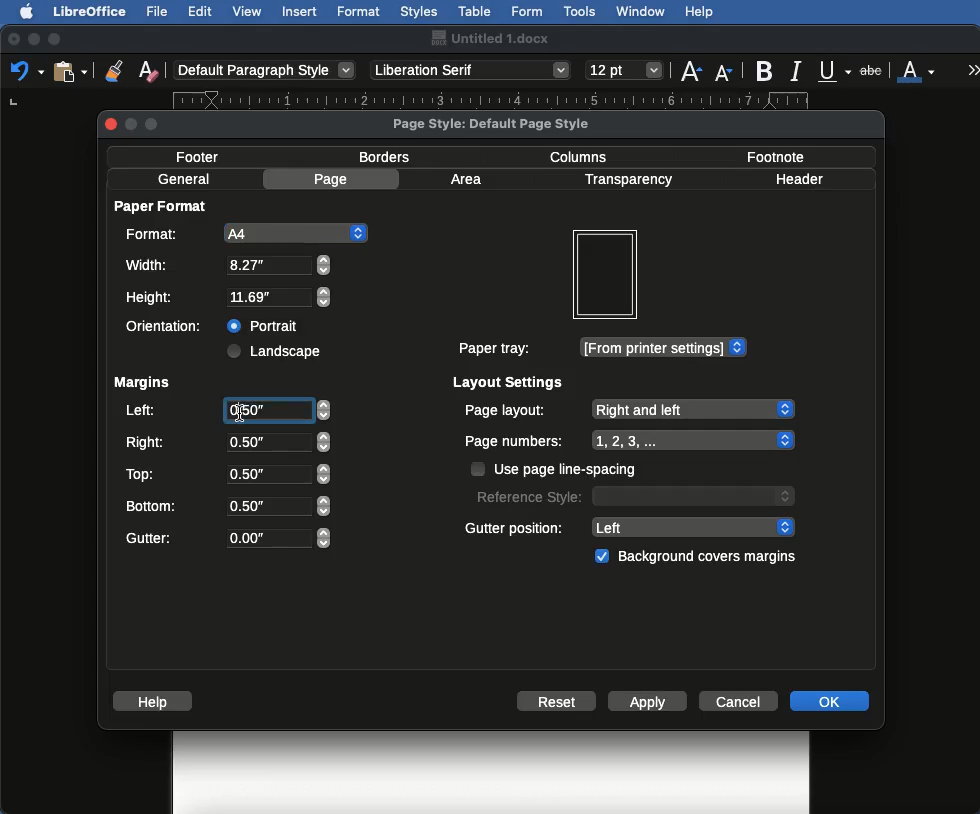  Describe the element at coordinates (33, 39) in the screenshot. I see `Minimize` at that location.